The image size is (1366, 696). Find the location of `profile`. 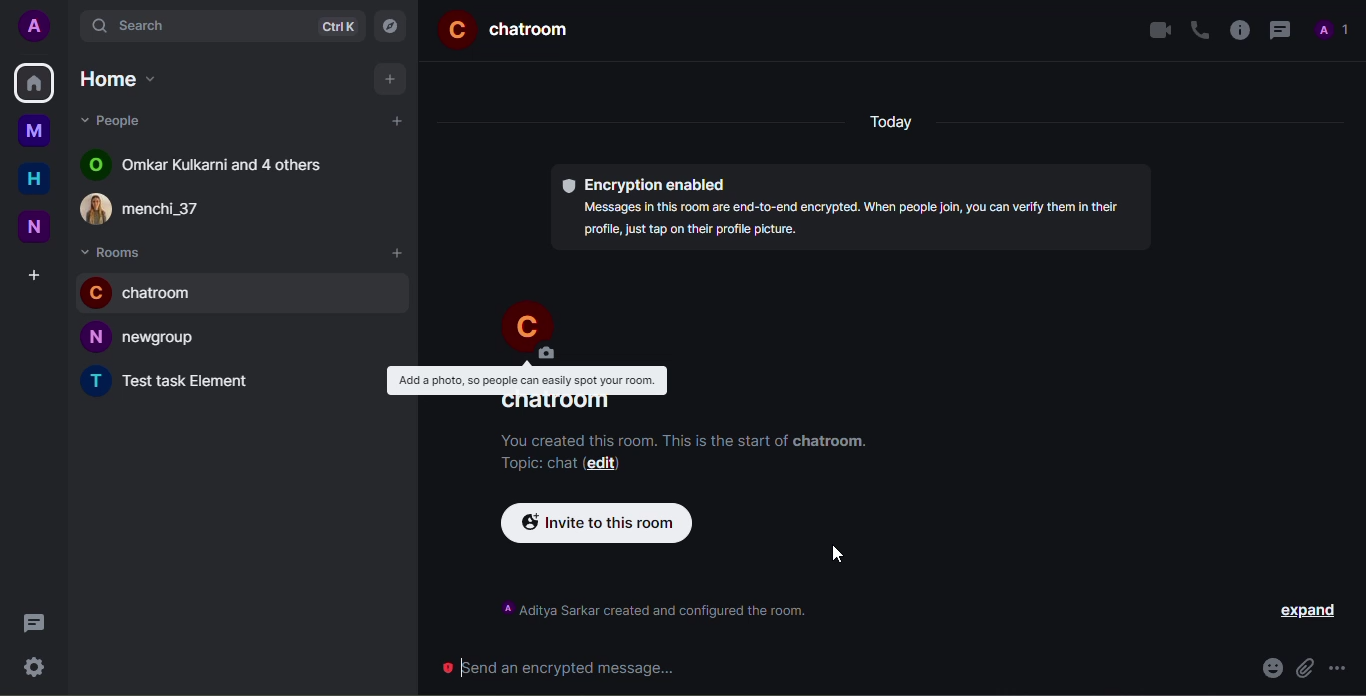

profile is located at coordinates (37, 25).